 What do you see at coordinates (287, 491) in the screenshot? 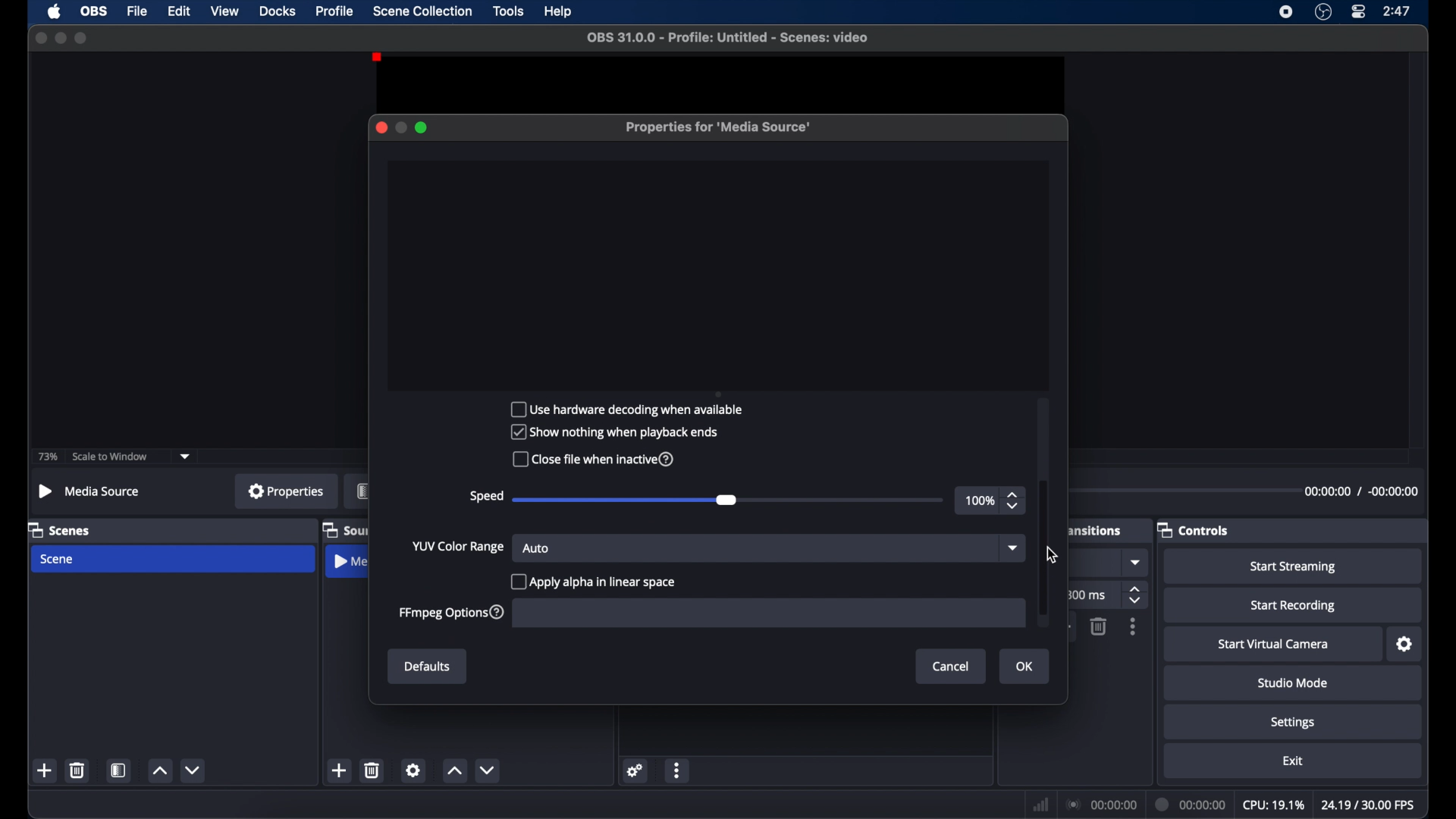
I see `properties` at bounding box center [287, 491].